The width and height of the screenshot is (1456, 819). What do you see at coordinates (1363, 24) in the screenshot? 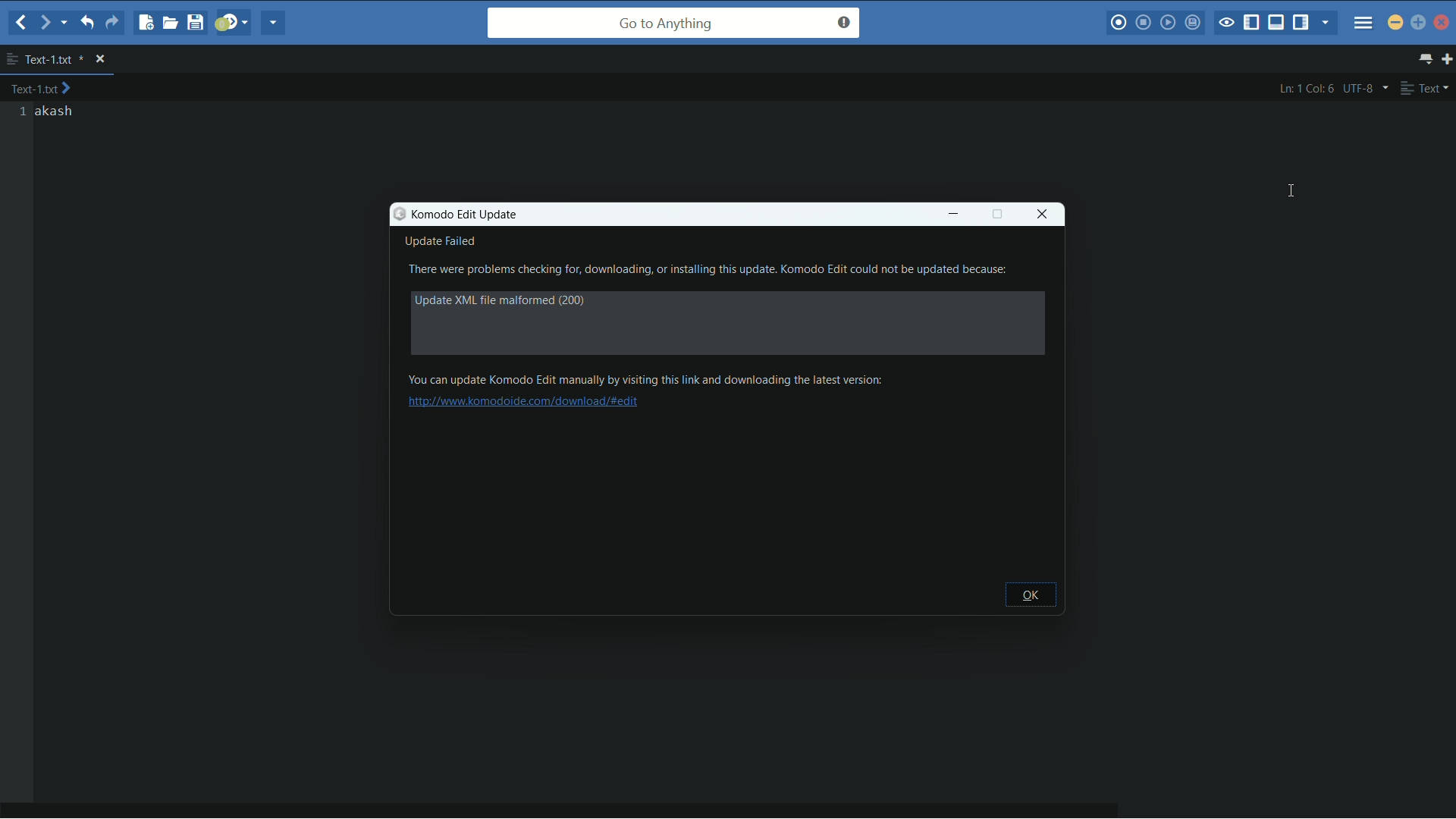
I see `menu` at bounding box center [1363, 24].